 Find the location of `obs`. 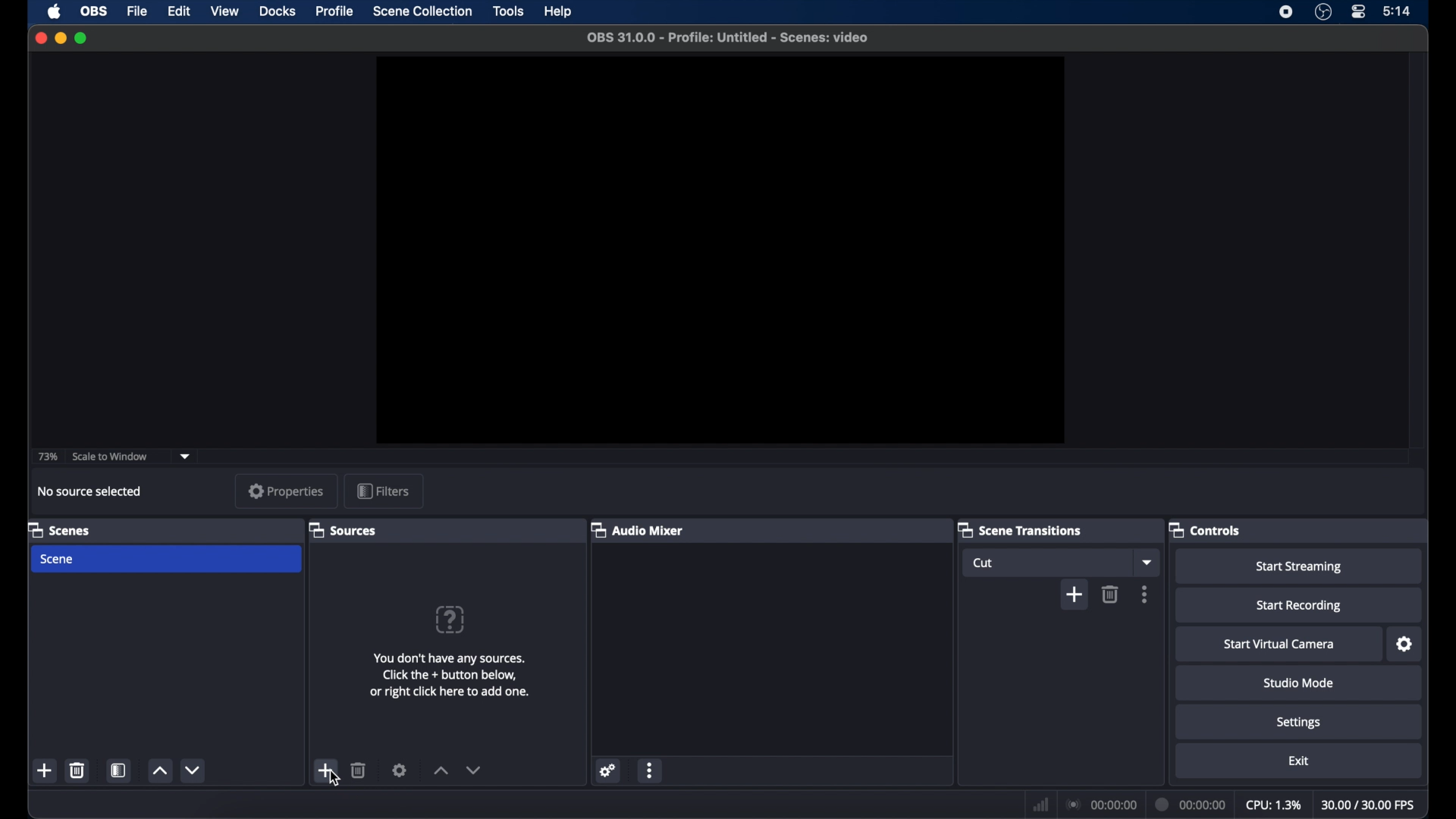

obs is located at coordinates (94, 11).